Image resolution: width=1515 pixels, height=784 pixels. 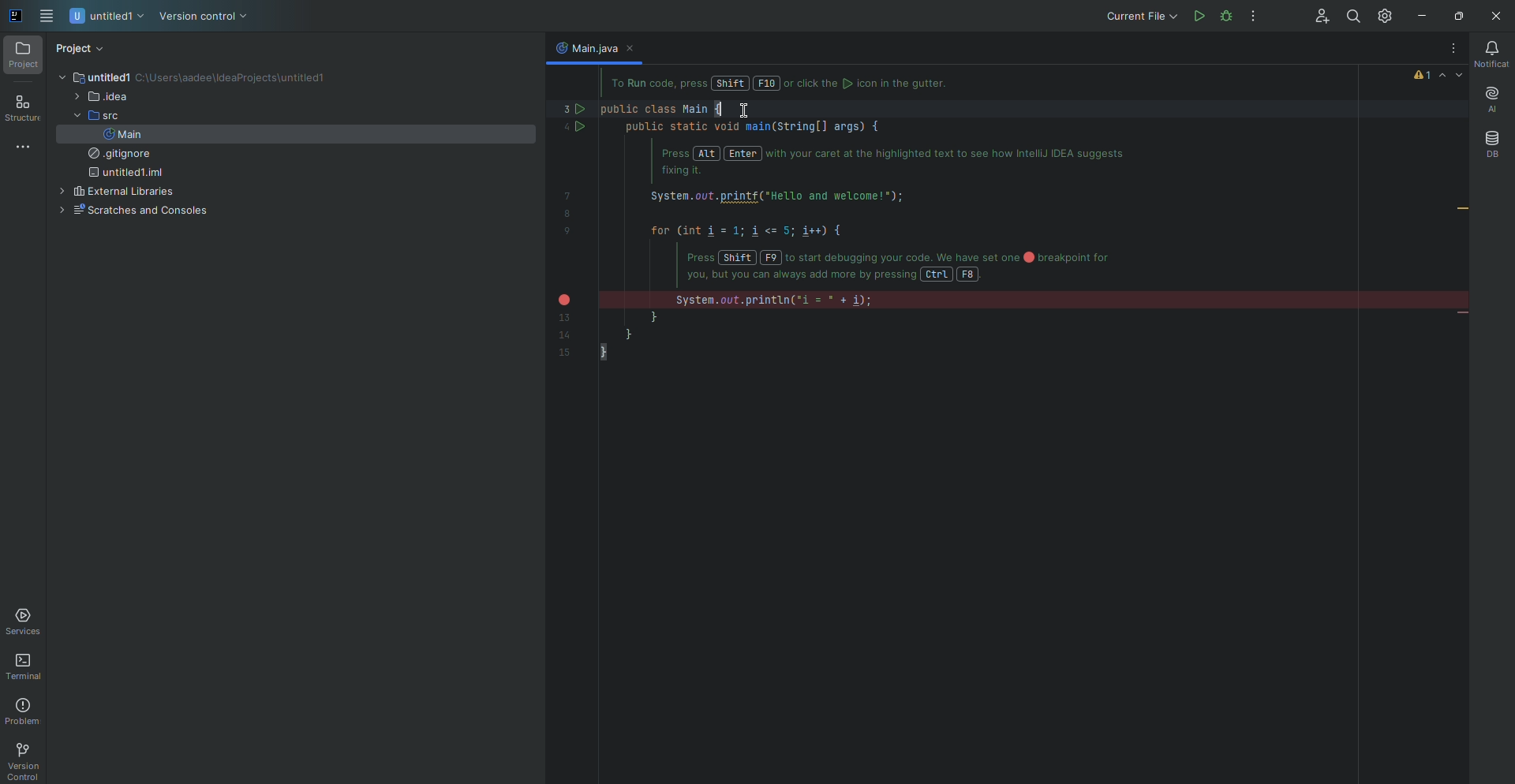 What do you see at coordinates (48, 17) in the screenshot?
I see `Main Menu` at bounding box center [48, 17].